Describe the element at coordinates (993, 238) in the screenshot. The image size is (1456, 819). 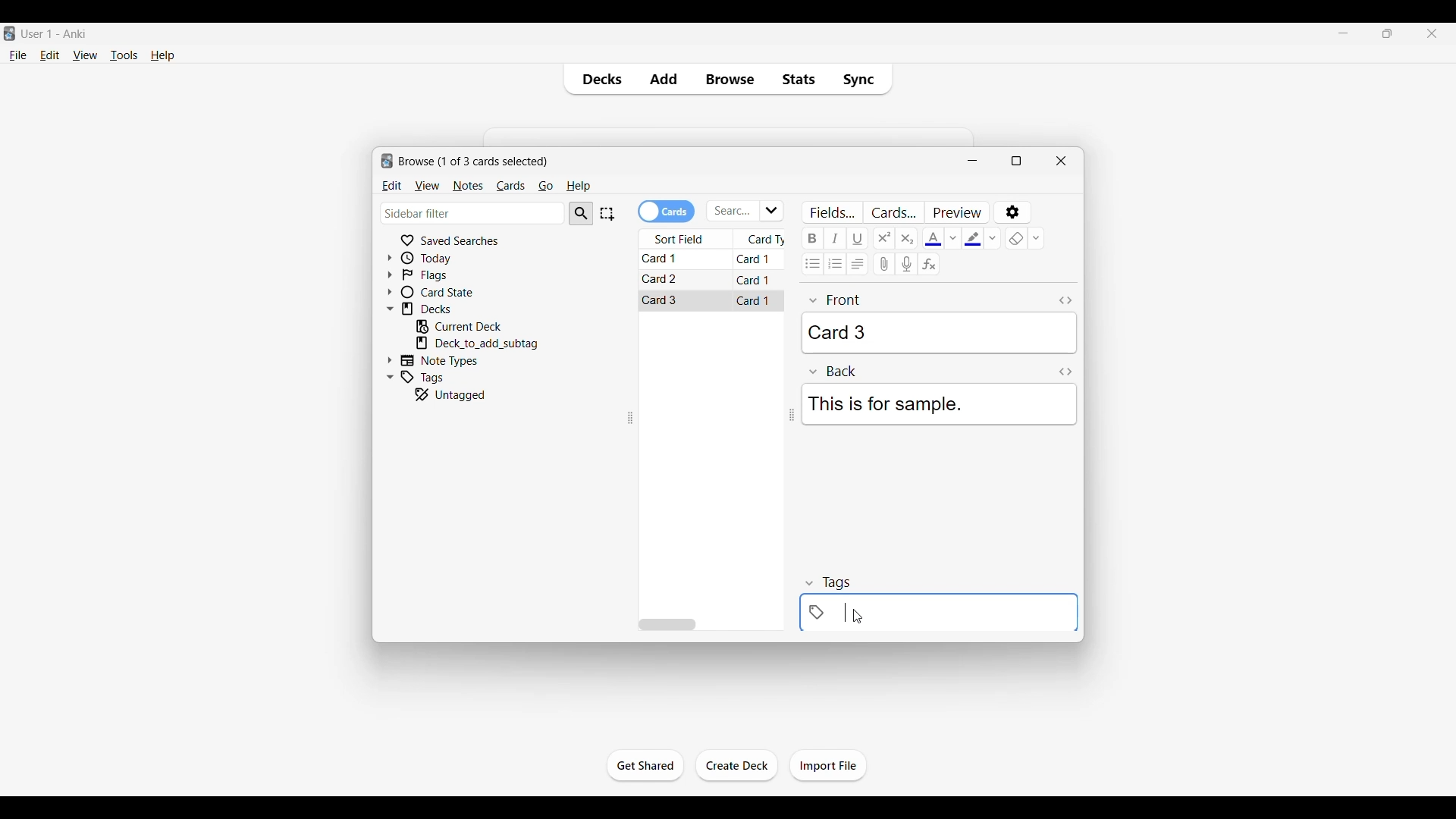
I see `Text highlight color options` at that location.